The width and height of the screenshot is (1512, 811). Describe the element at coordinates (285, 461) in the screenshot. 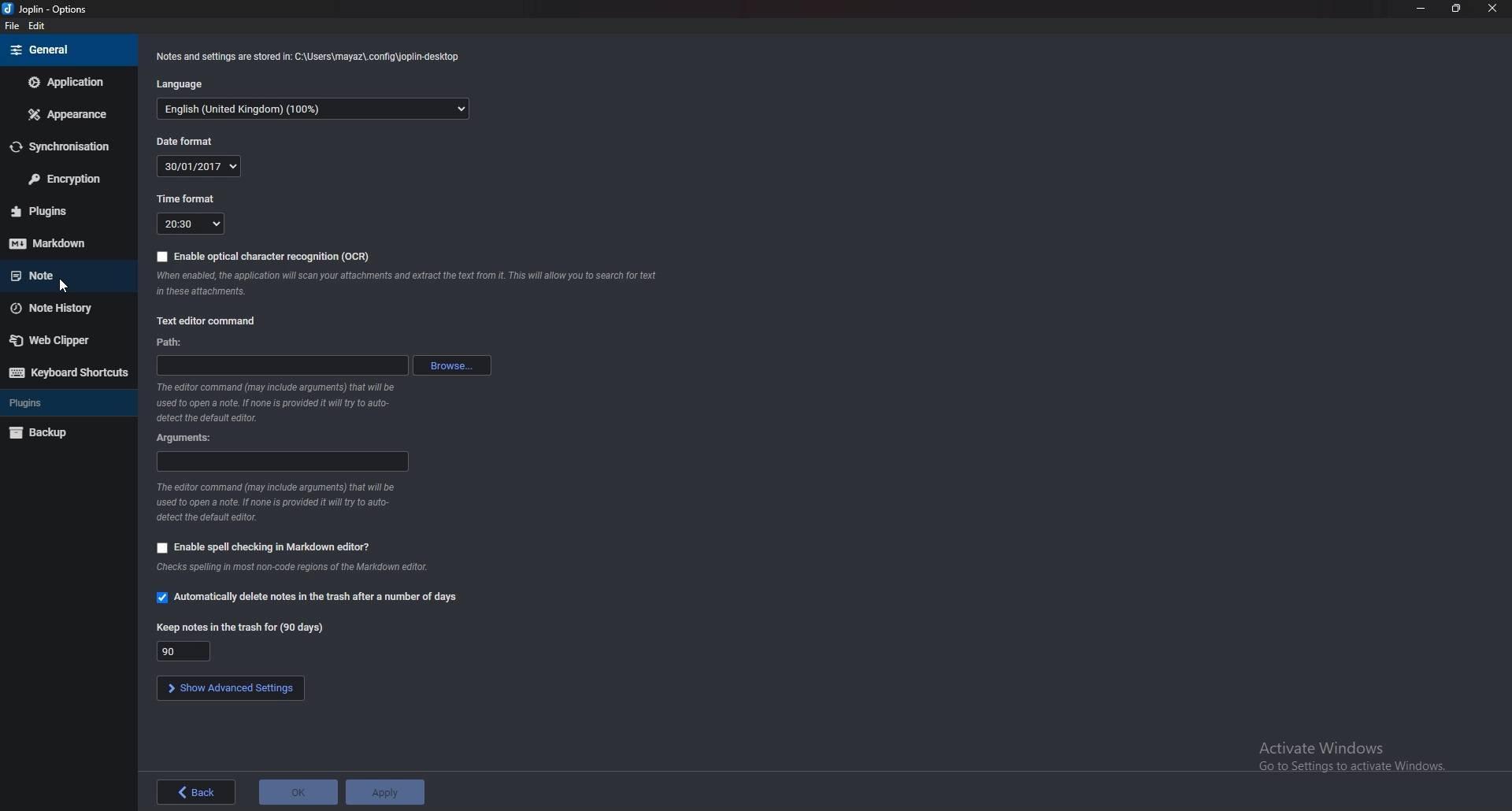

I see `arguments` at that location.